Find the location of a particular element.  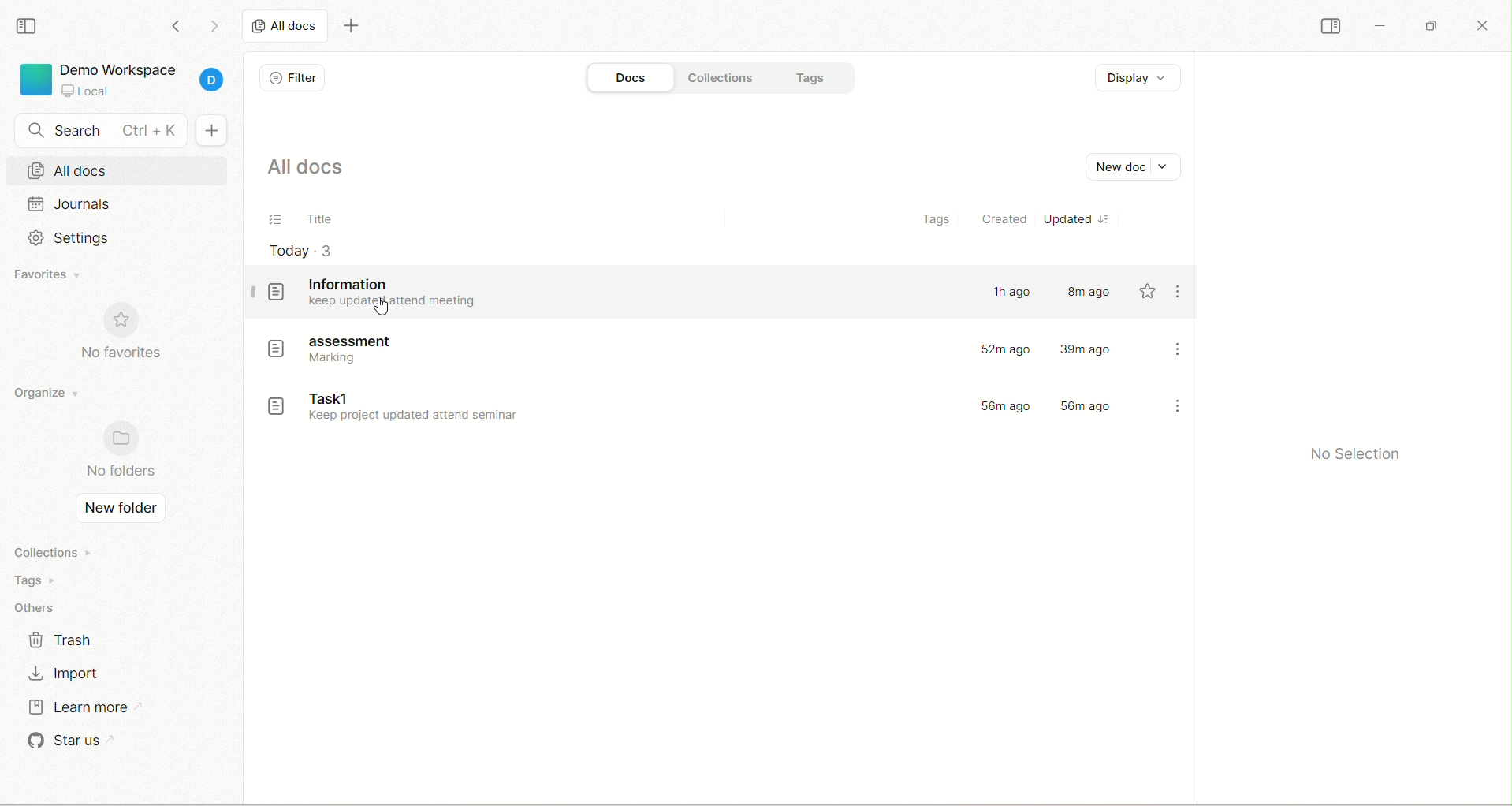

minimize is located at coordinates (1380, 26).